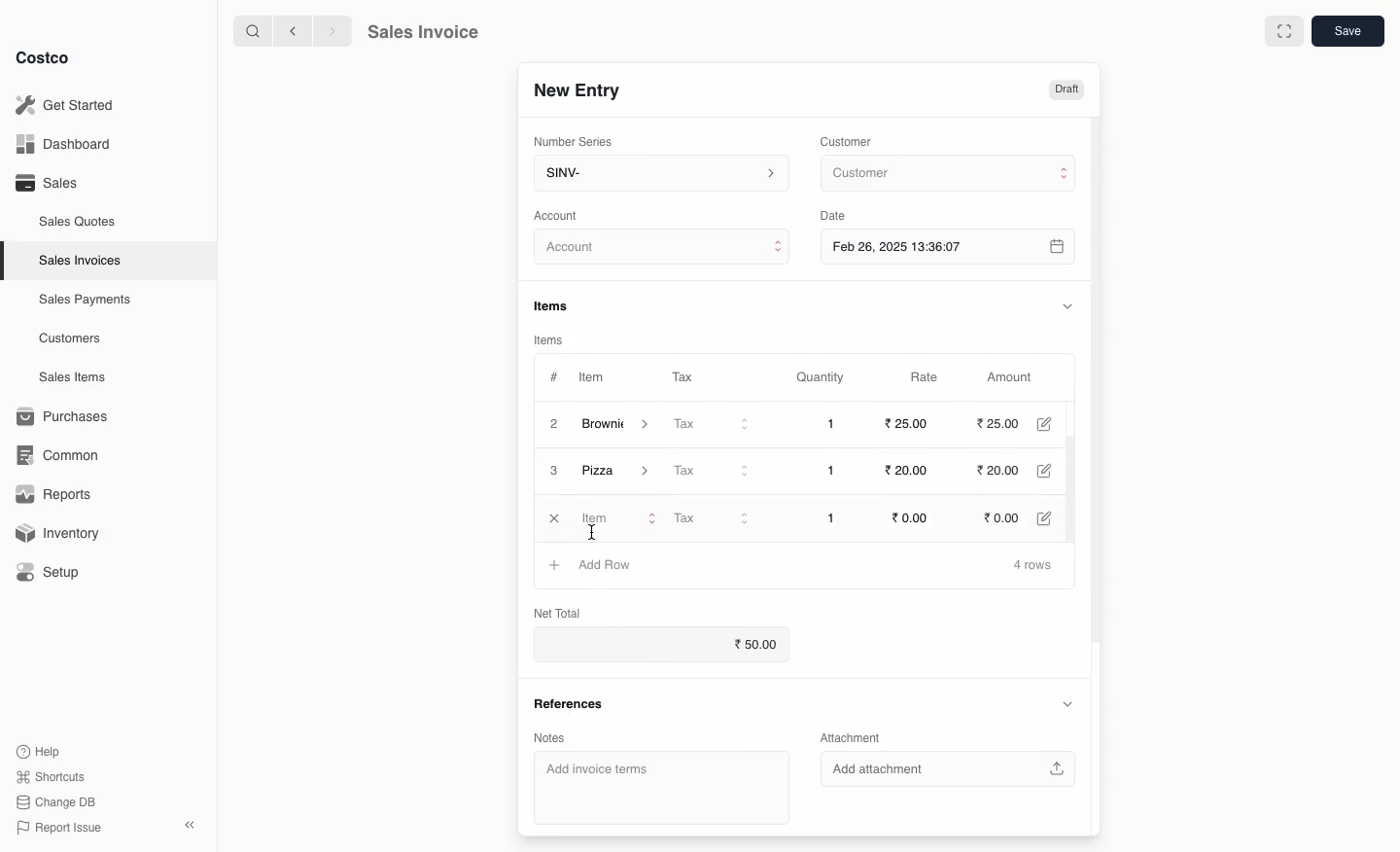  What do you see at coordinates (1006, 424) in the screenshot?
I see `25.00` at bounding box center [1006, 424].